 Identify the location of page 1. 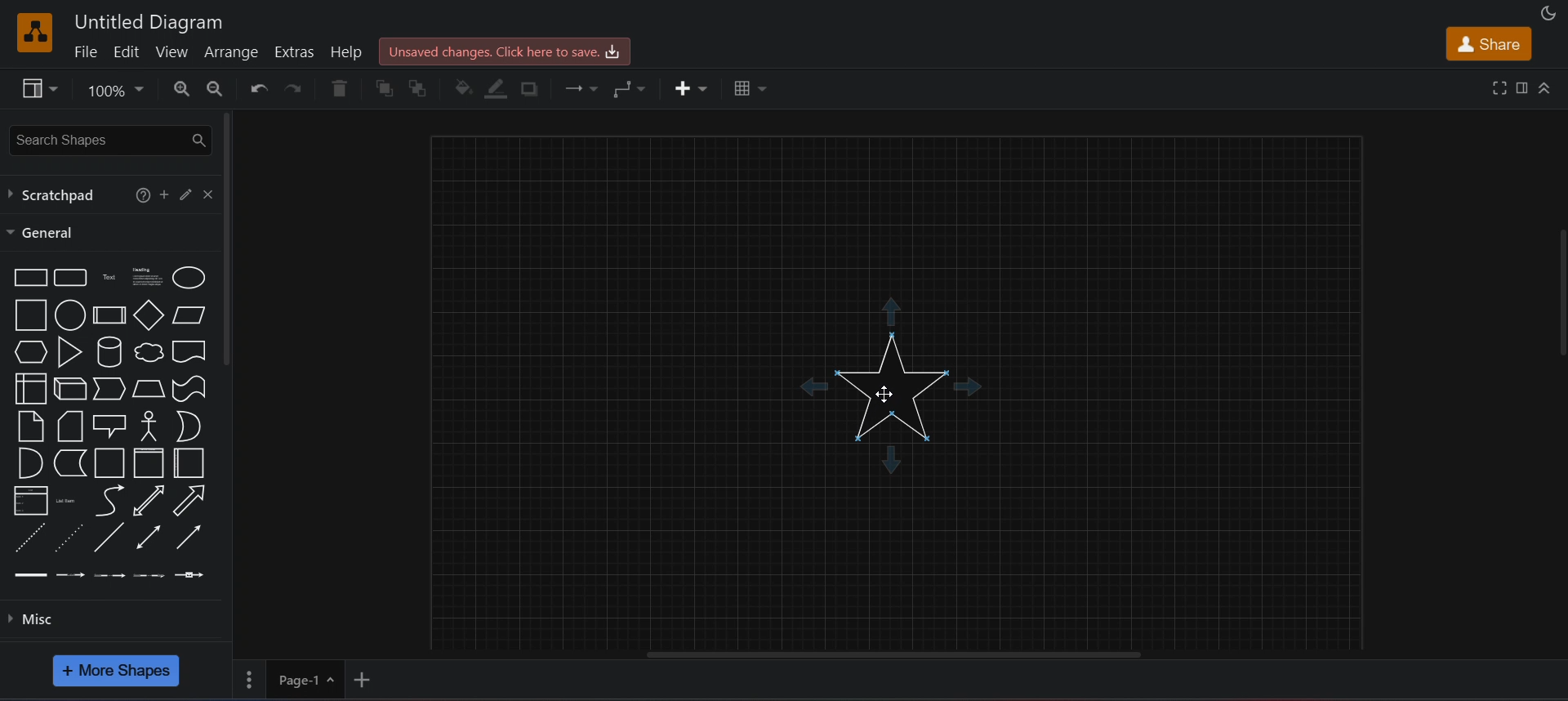
(291, 681).